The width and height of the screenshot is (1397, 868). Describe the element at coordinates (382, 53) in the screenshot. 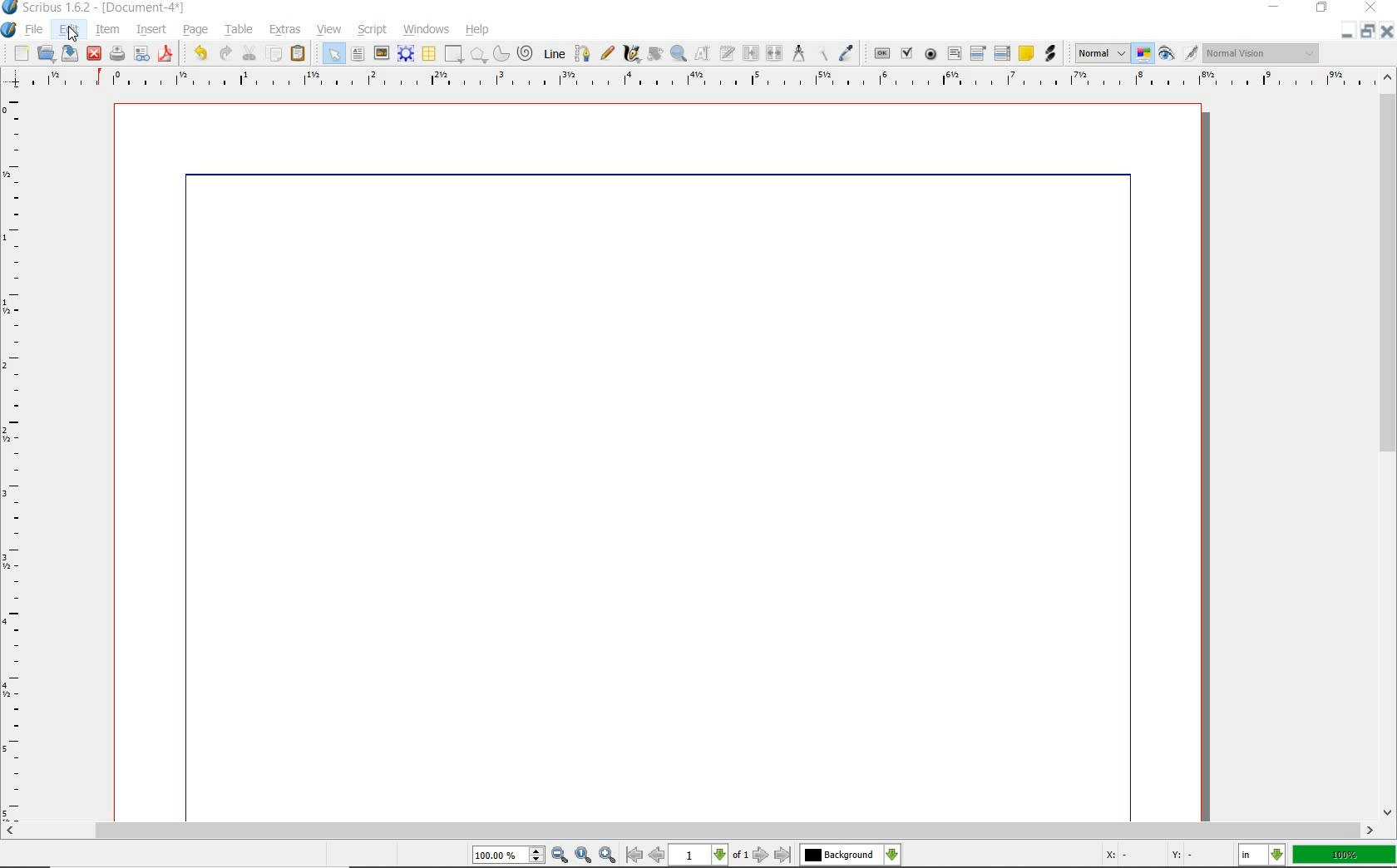

I see `image frame` at that location.